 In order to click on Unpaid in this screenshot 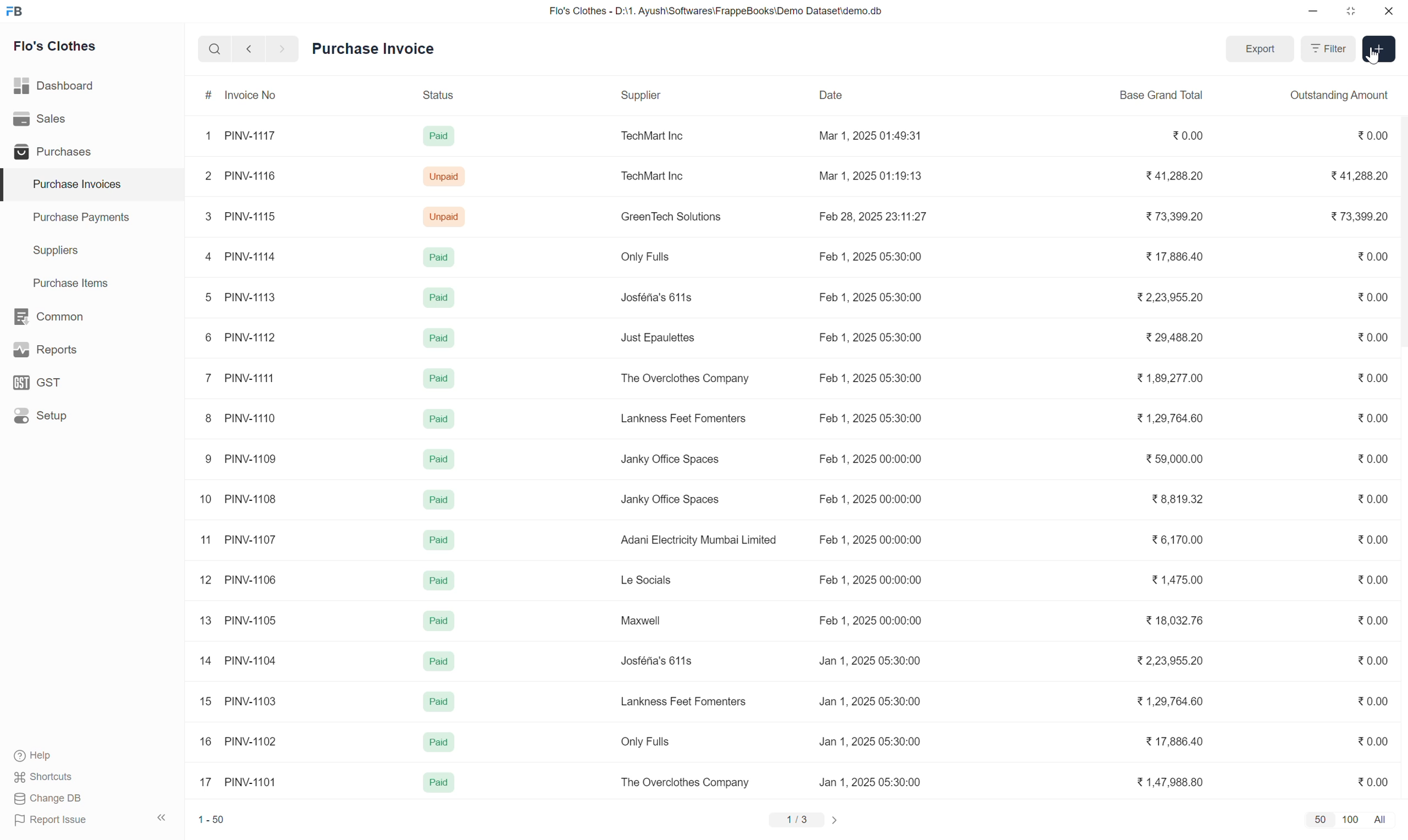, I will do `click(444, 176)`.